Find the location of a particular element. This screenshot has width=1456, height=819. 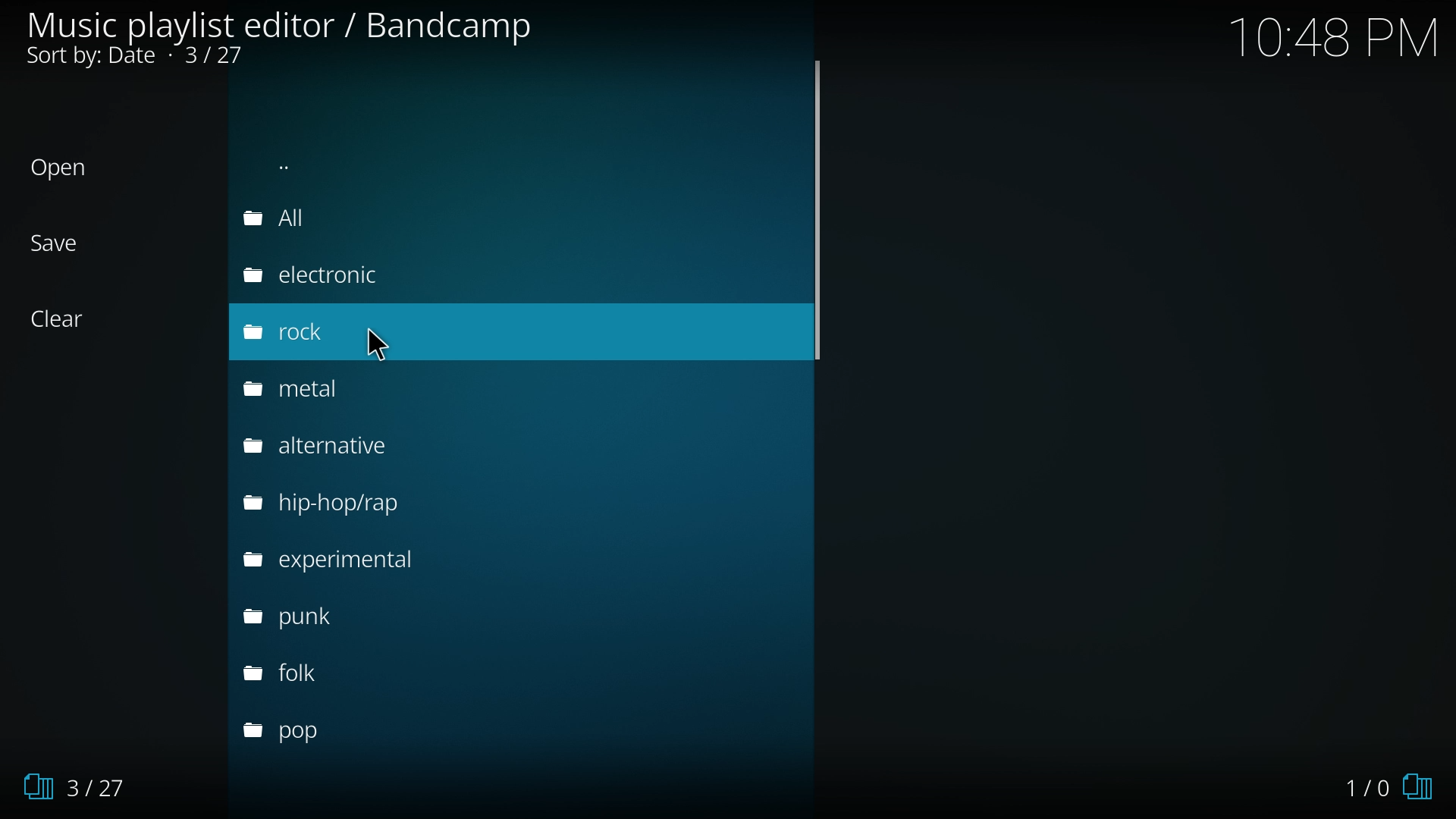

rock is located at coordinates (290, 334).